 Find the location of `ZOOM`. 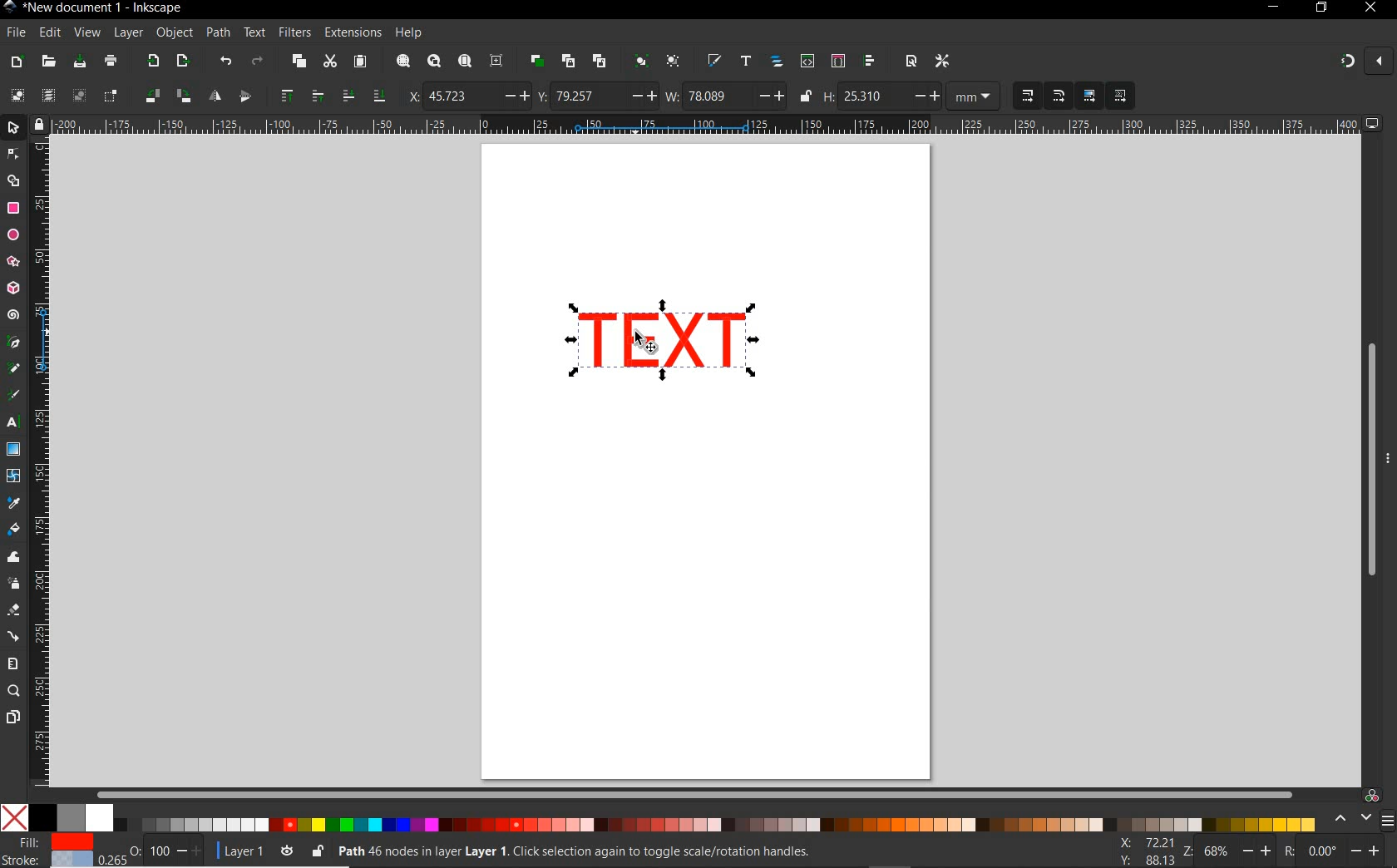

ZOOM is located at coordinates (1228, 850).